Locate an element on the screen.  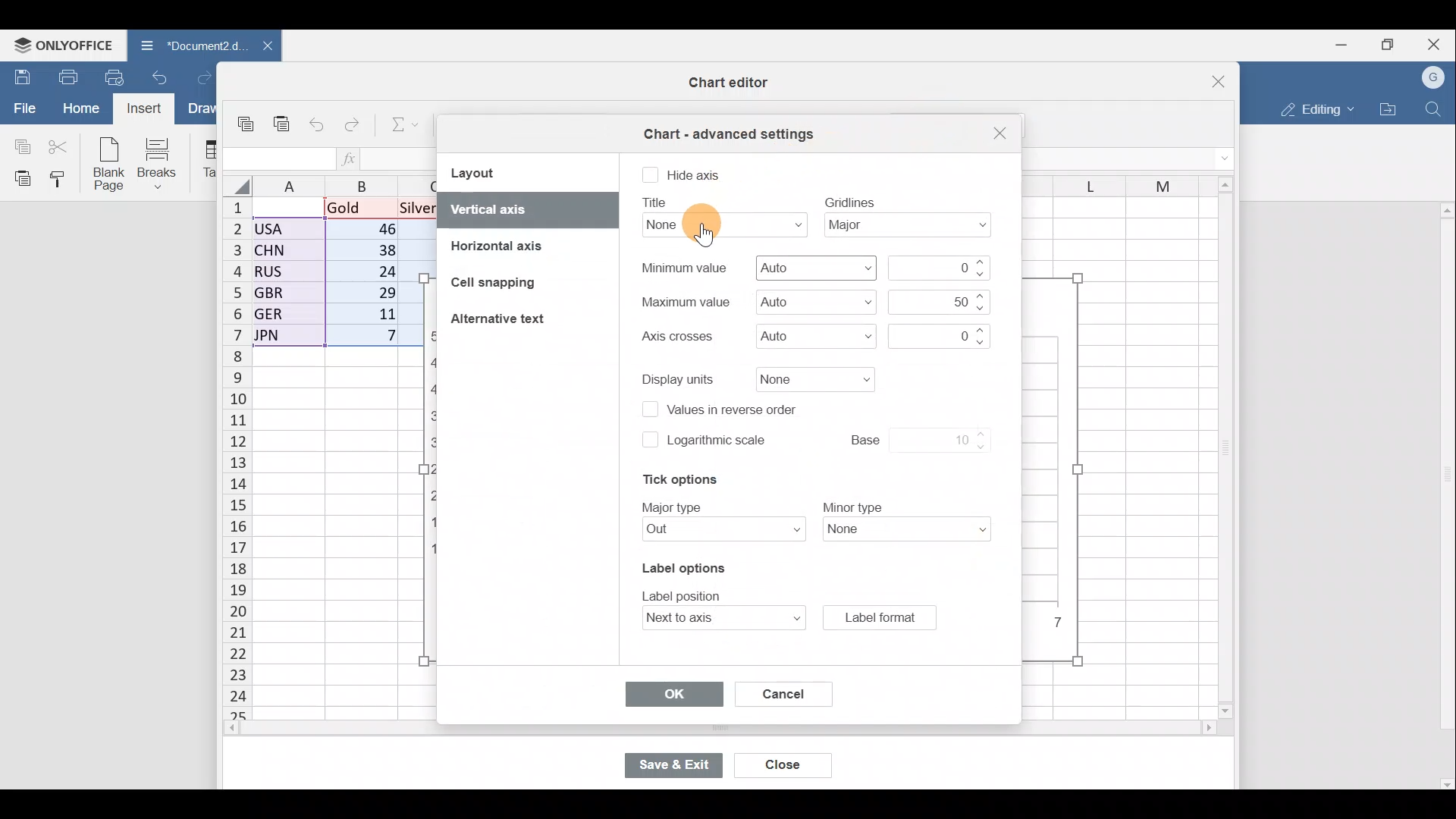
Open file location is located at coordinates (1389, 108).